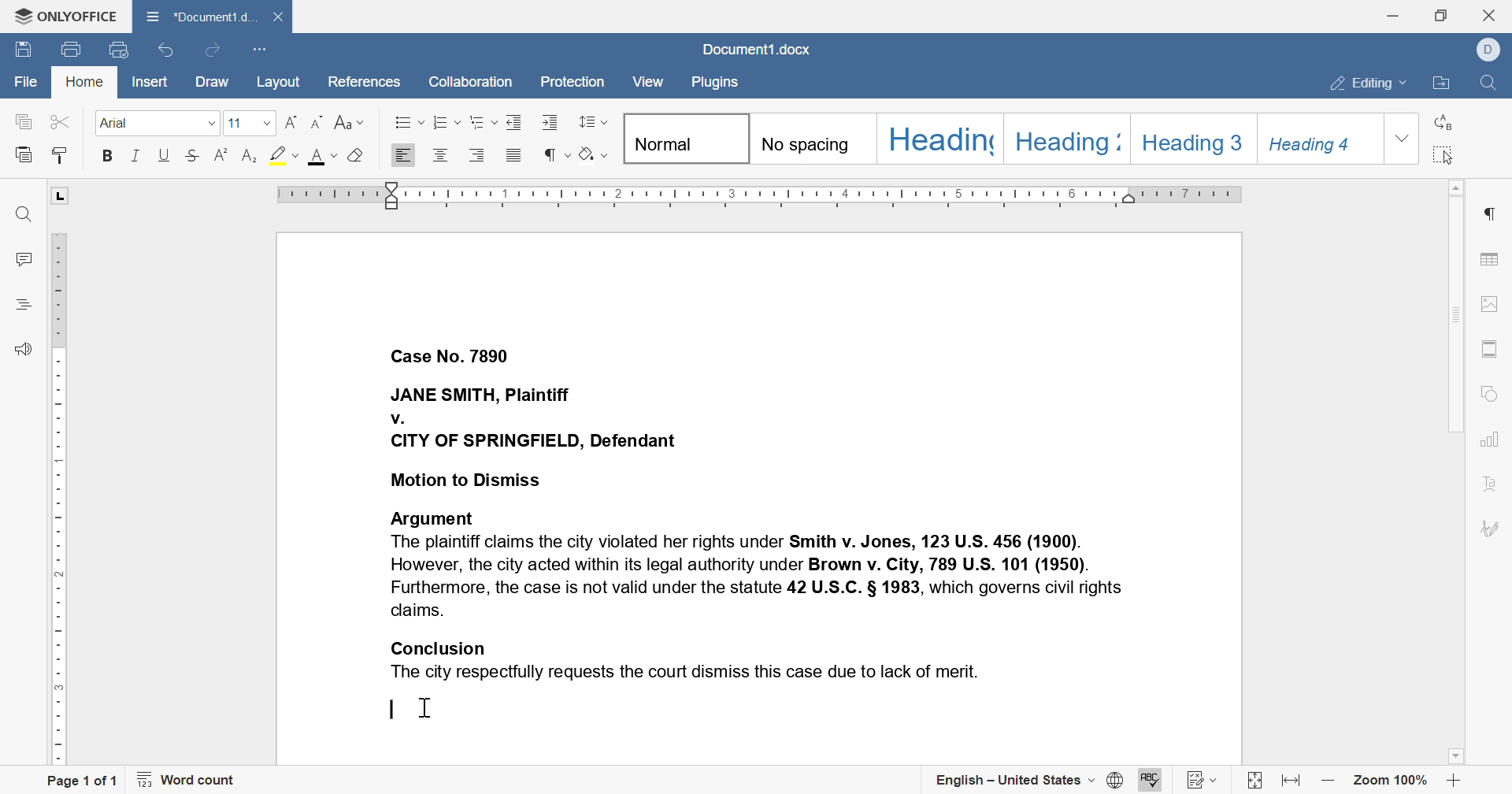 This screenshot has height=794, width=1512. Describe the element at coordinates (118, 51) in the screenshot. I see `quick print` at that location.